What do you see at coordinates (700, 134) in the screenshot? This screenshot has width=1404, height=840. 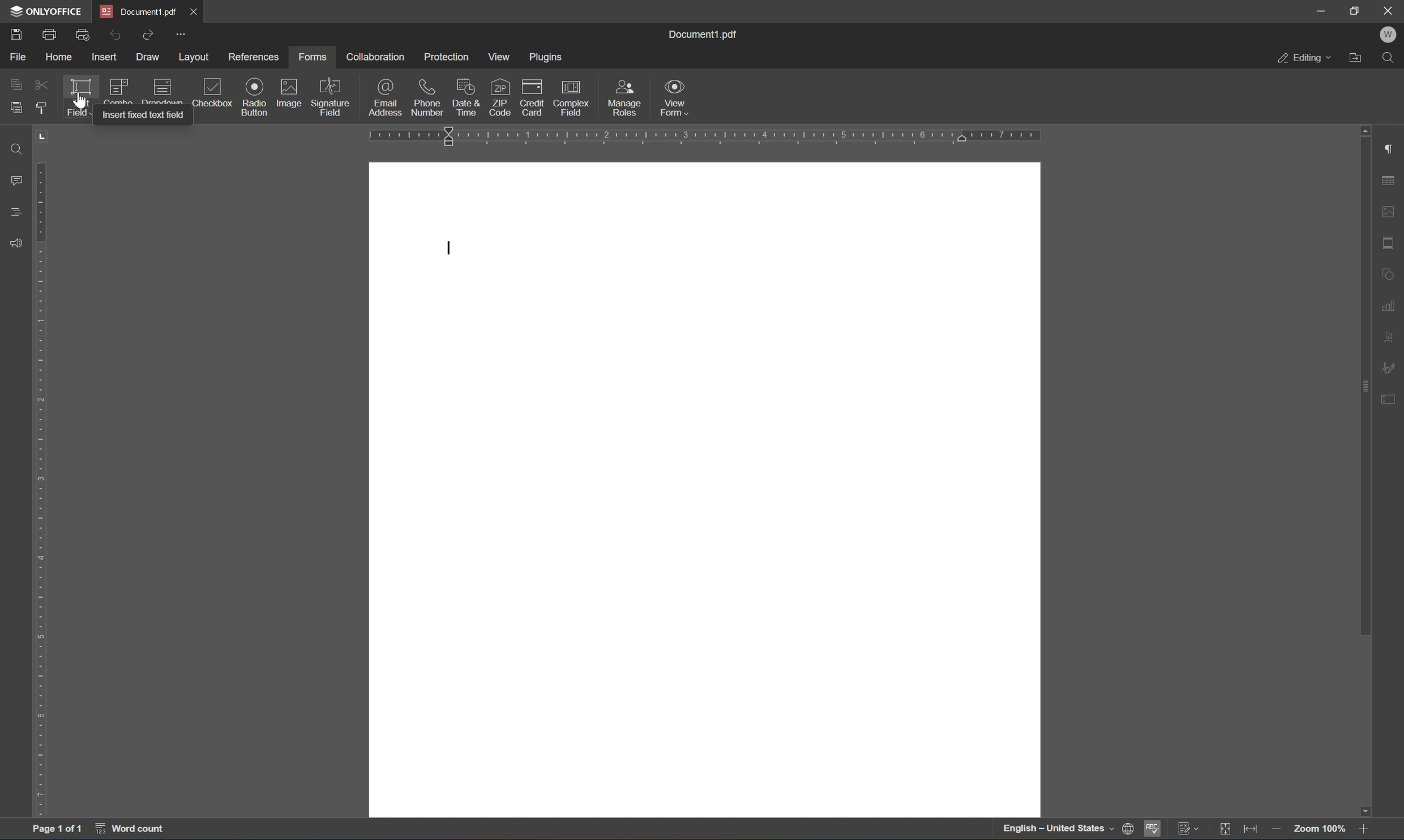 I see `ruler` at bounding box center [700, 134].